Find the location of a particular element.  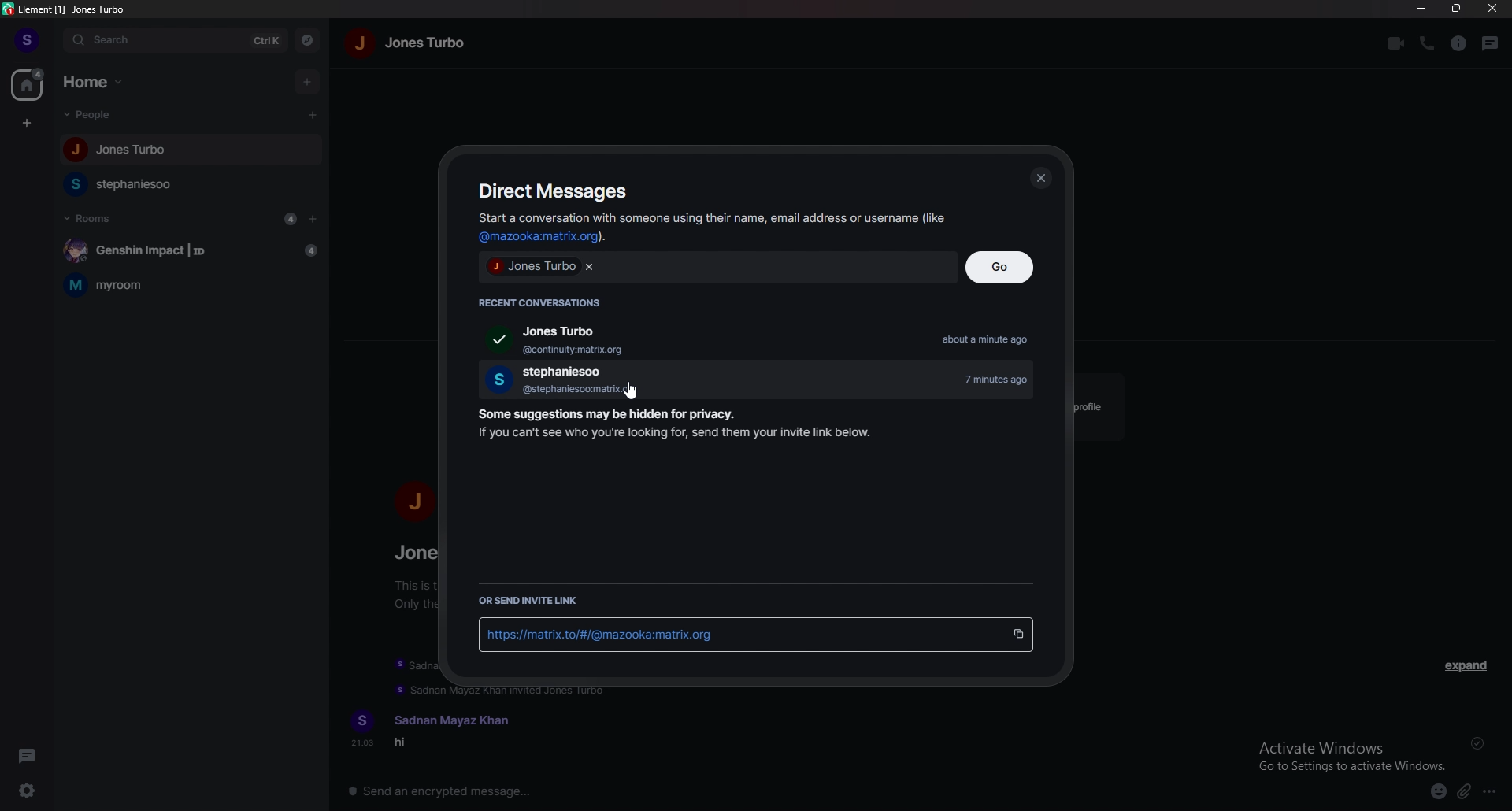

copy invite link is located at coordinates (1017, 635).